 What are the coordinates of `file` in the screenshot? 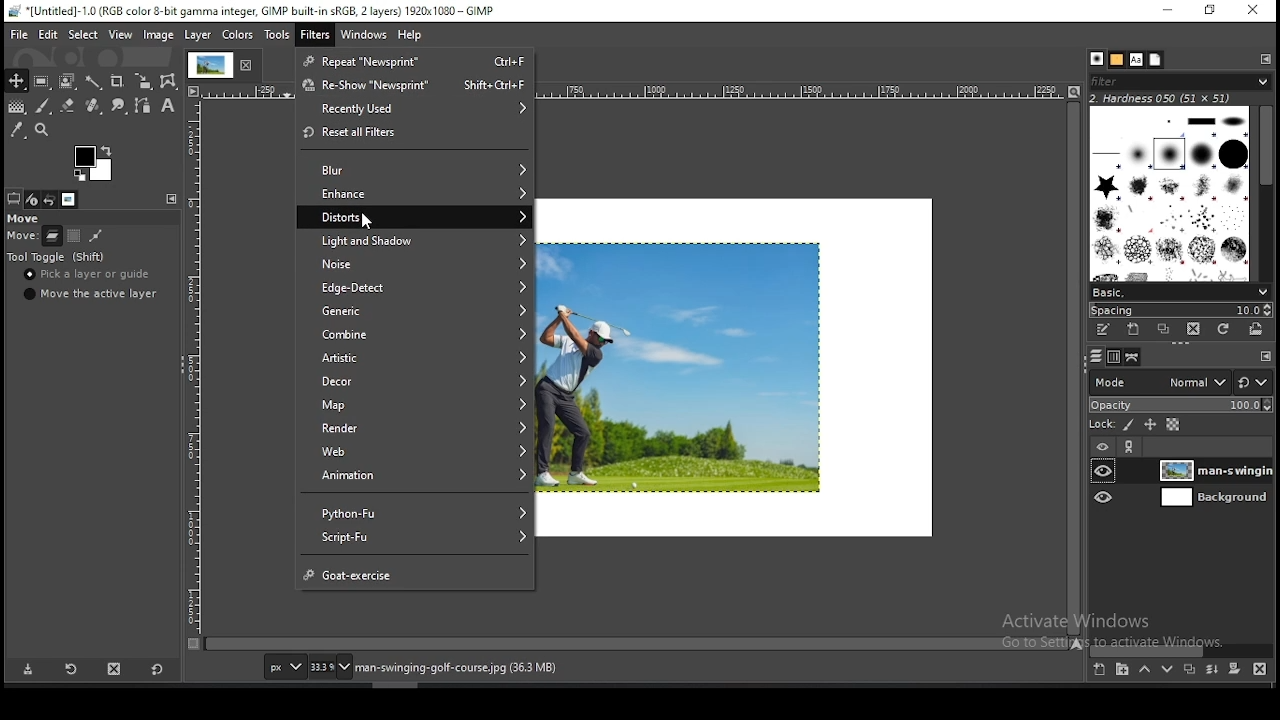 It's located at (16, 35).